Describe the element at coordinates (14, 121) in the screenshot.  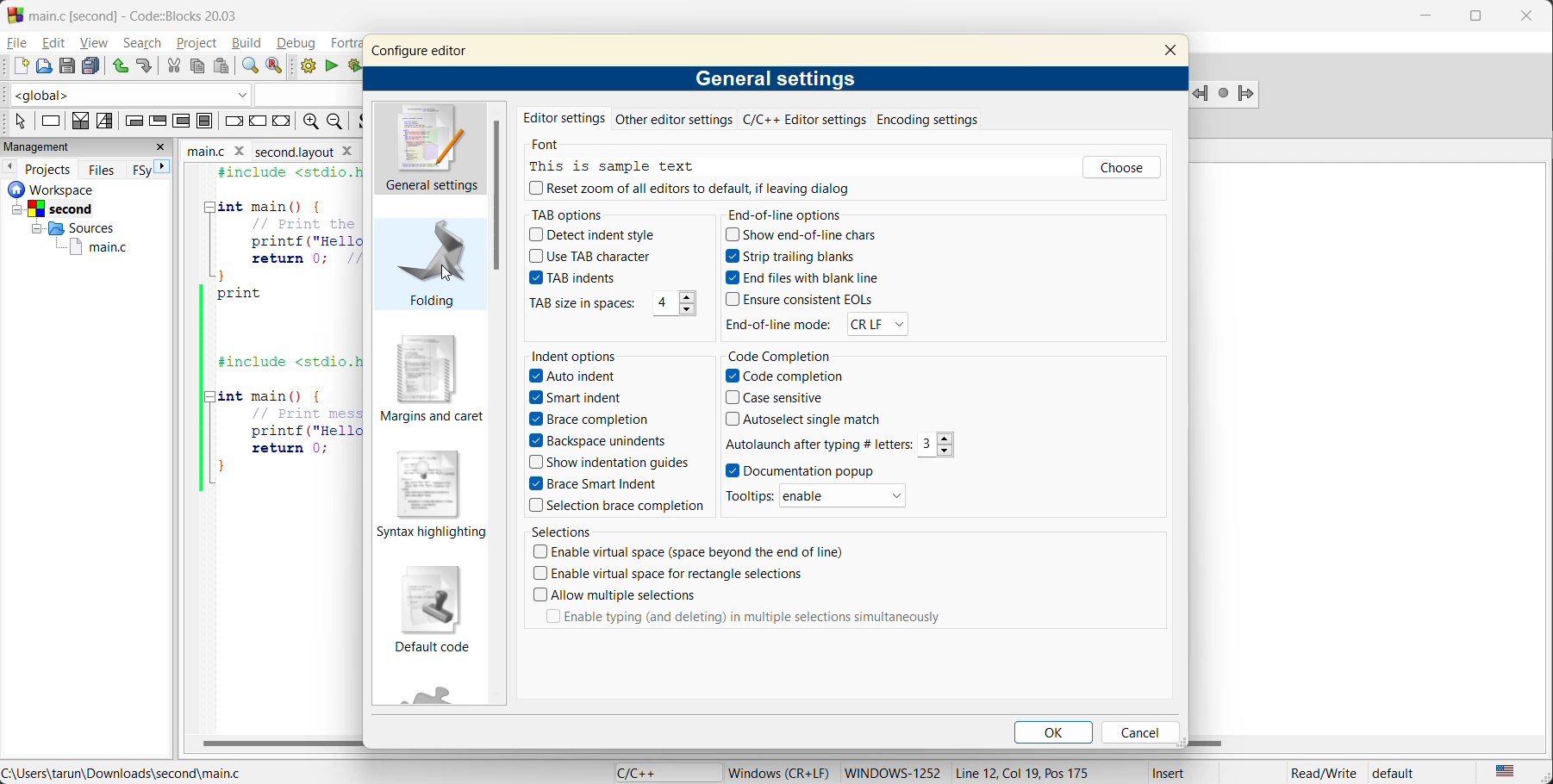
I see `select` at that location.